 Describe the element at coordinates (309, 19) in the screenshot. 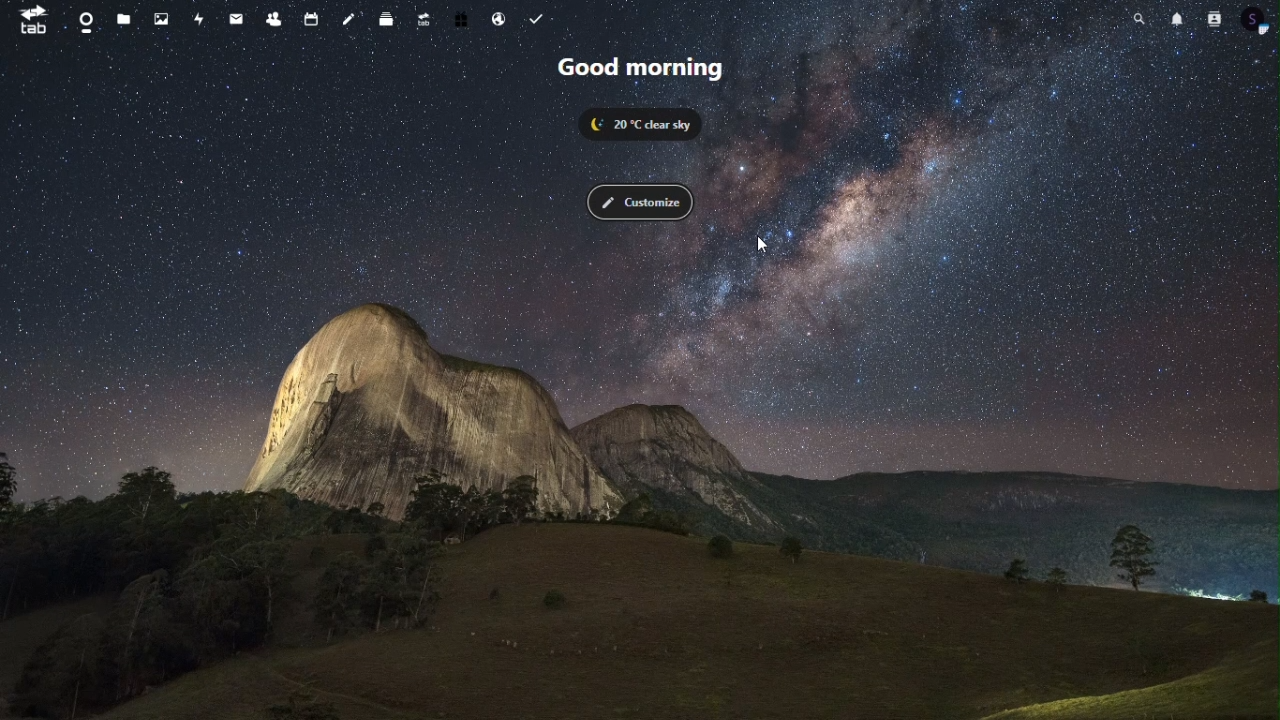

I see `calendar` at that location.